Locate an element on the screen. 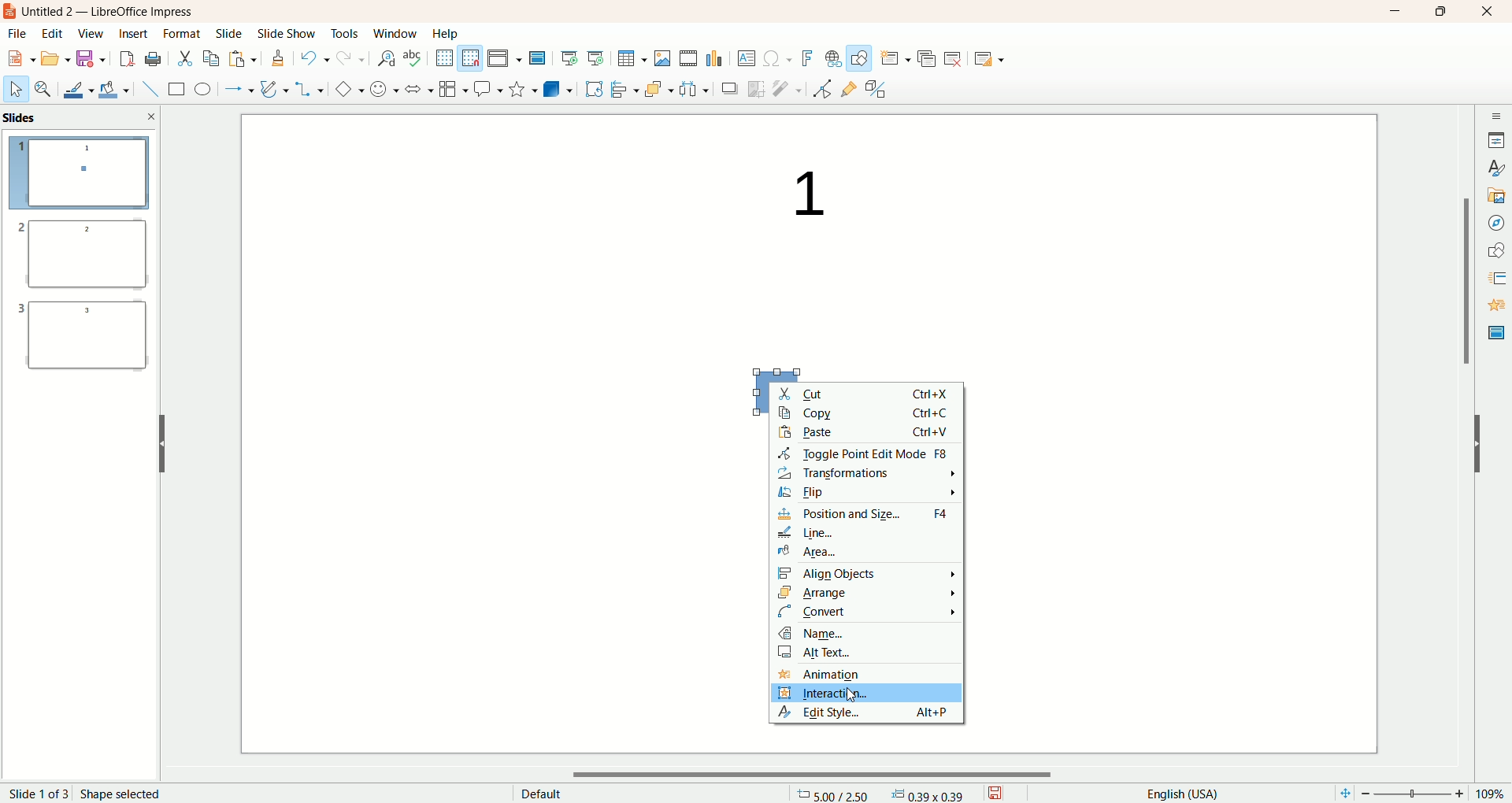 Image resolution: width=1512 pixels, height=803 pixels. 3D objects is located at coordinates (558, 89).